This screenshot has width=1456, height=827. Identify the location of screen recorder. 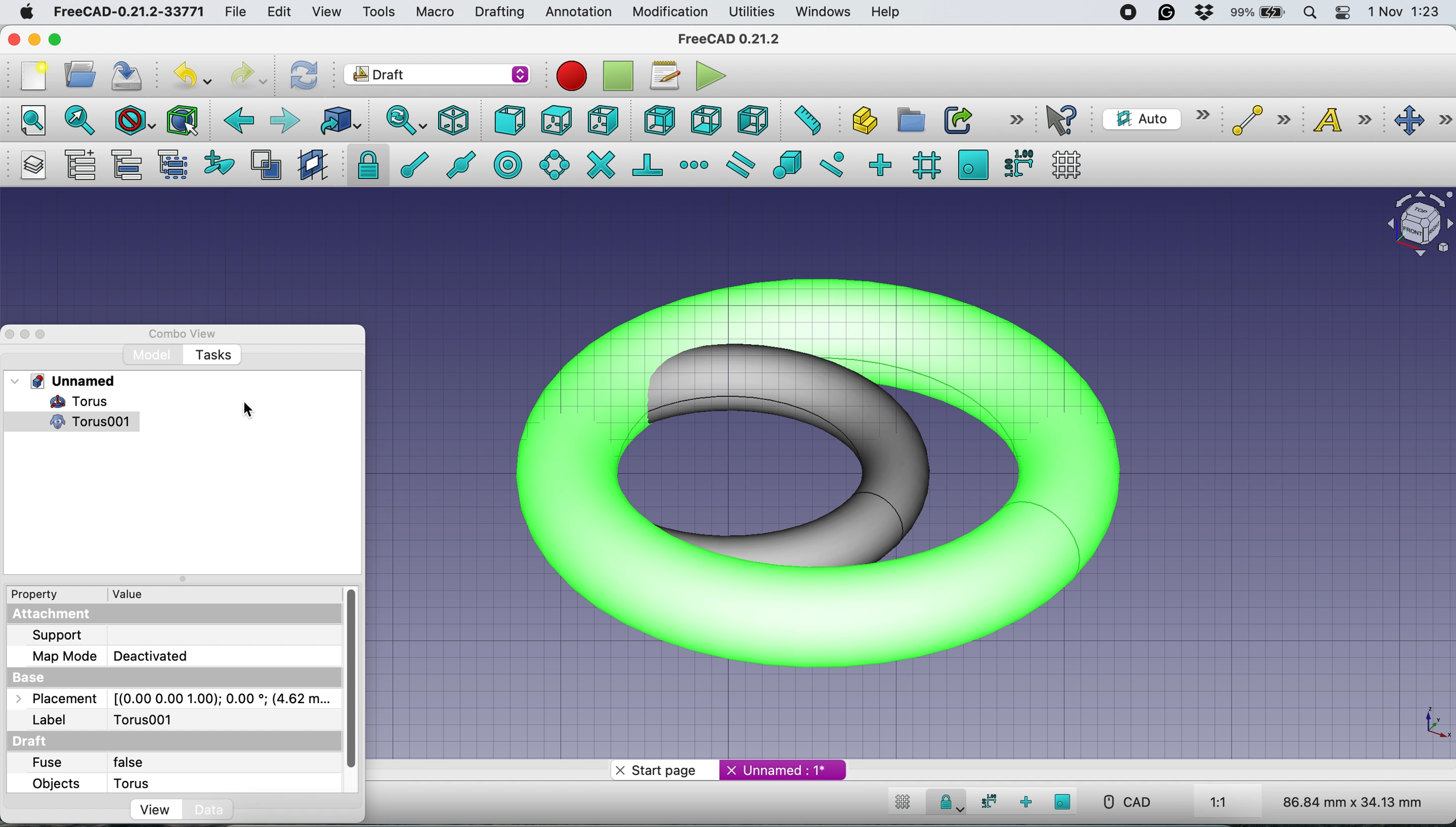
(1129, 15).